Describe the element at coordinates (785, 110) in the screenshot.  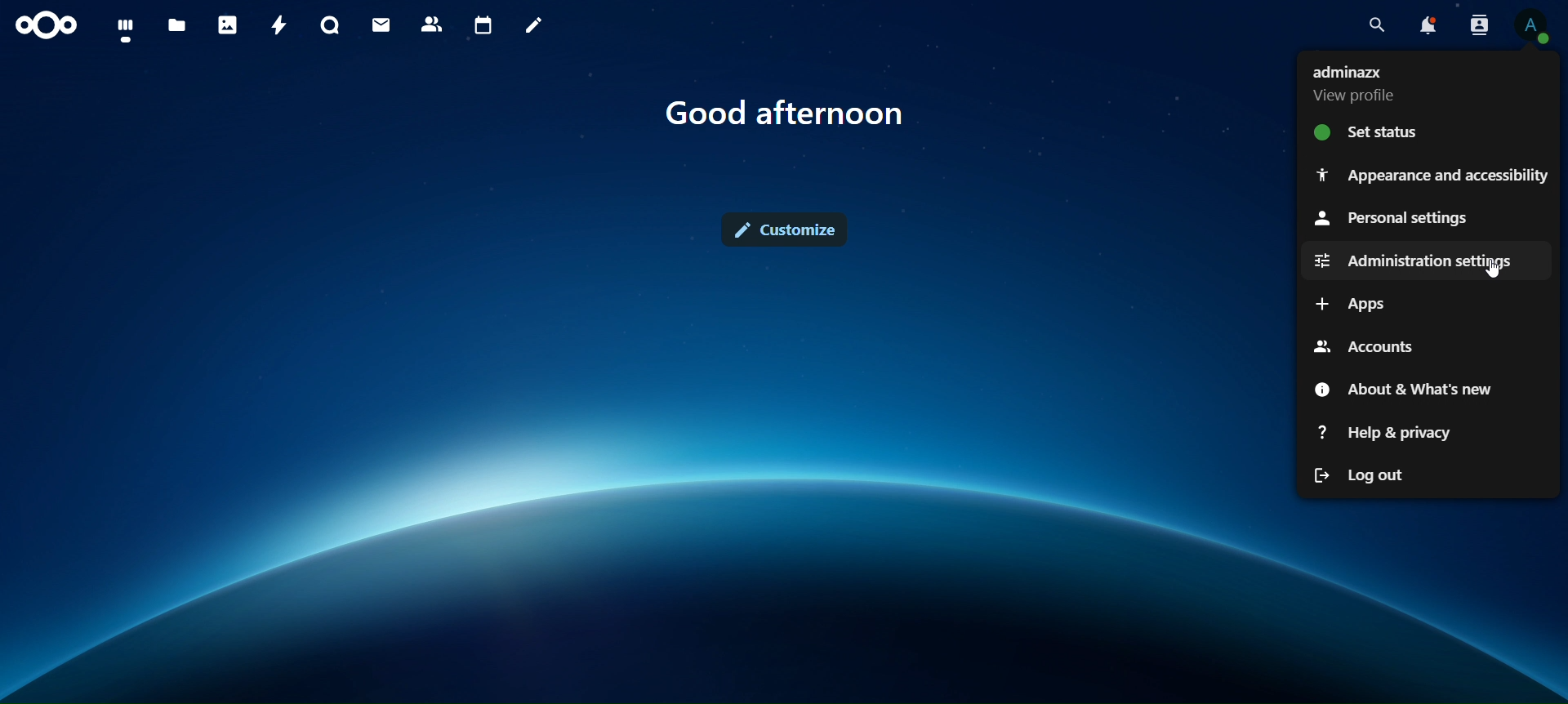
I see `text` at that location.